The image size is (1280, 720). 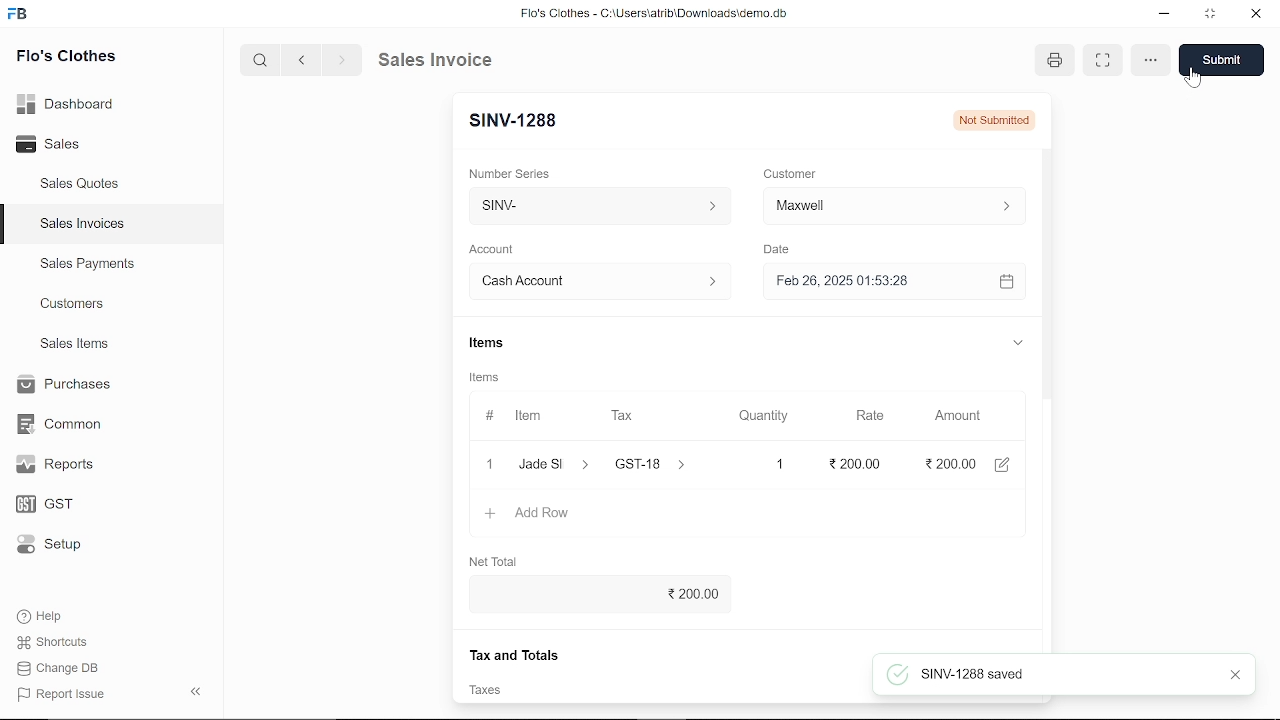 What do you see at coordinates (70, 103) in the screenshot?
I see `Dashboard` at bounding box center [70, 103].